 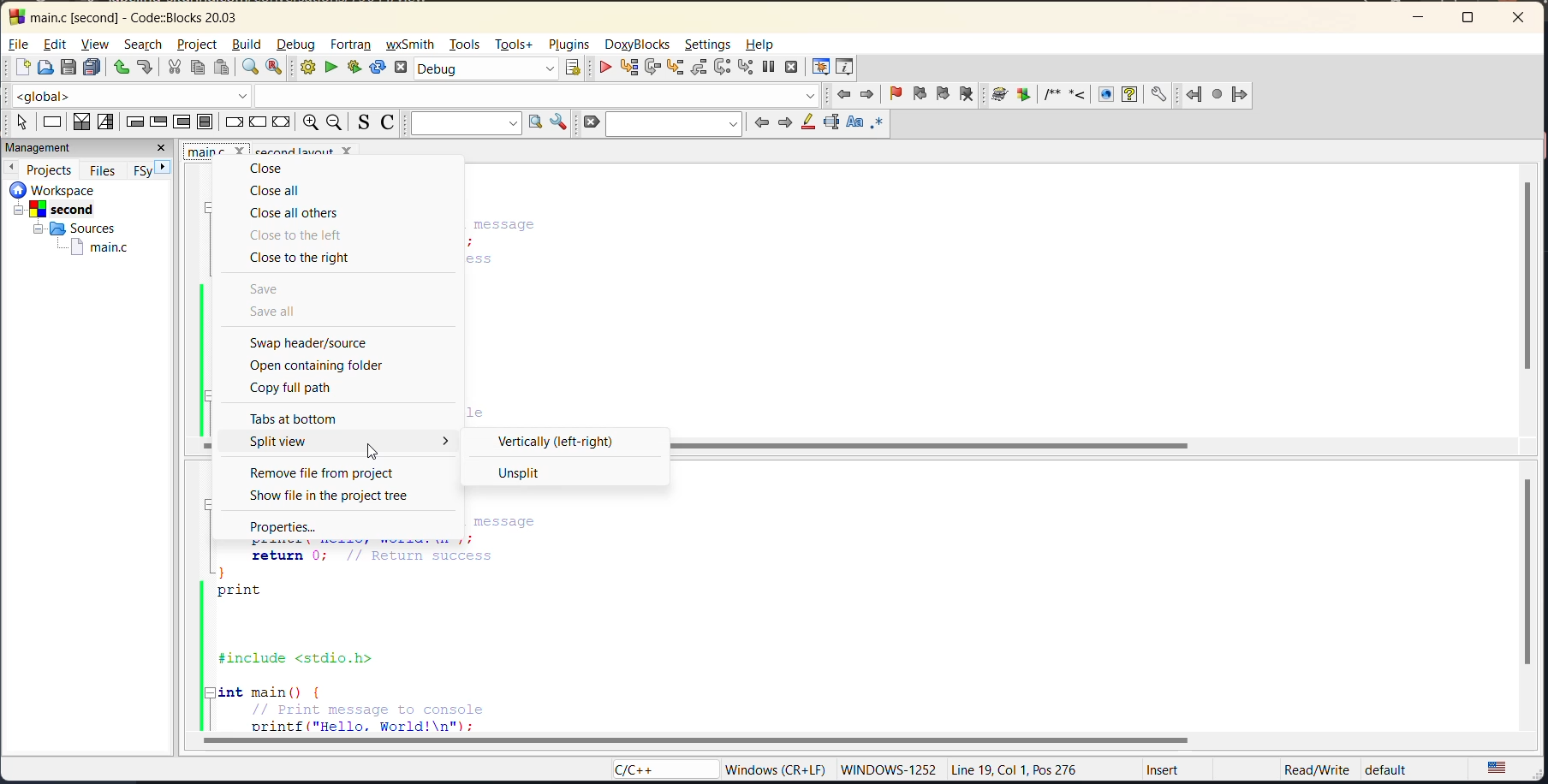 What do you see at coordinates (24, 122) in the screenshot?
I see `select` at bounding box center [24, 122].